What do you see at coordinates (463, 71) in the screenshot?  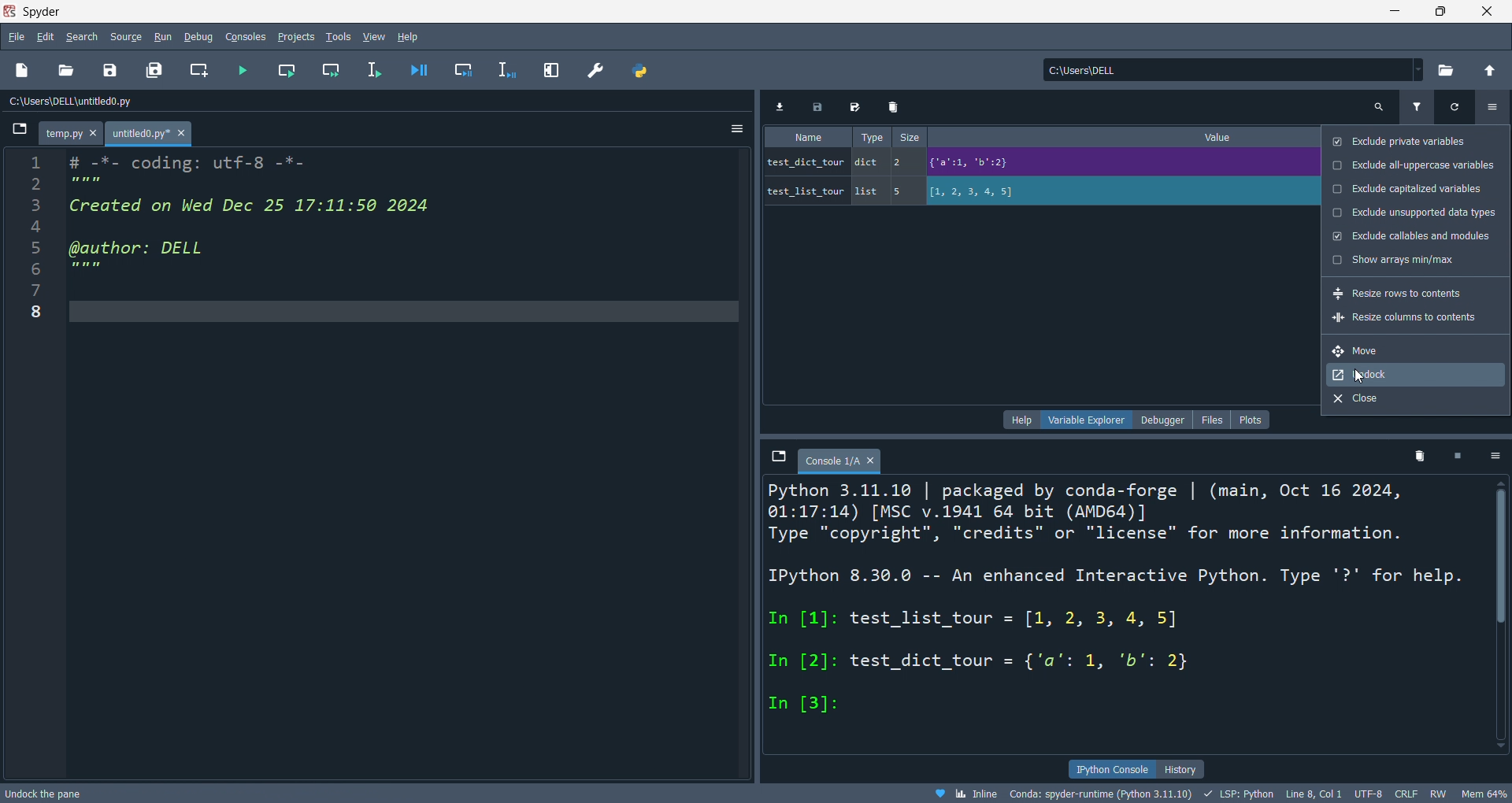 I see `debug cell` at bounding box center [463, 71].